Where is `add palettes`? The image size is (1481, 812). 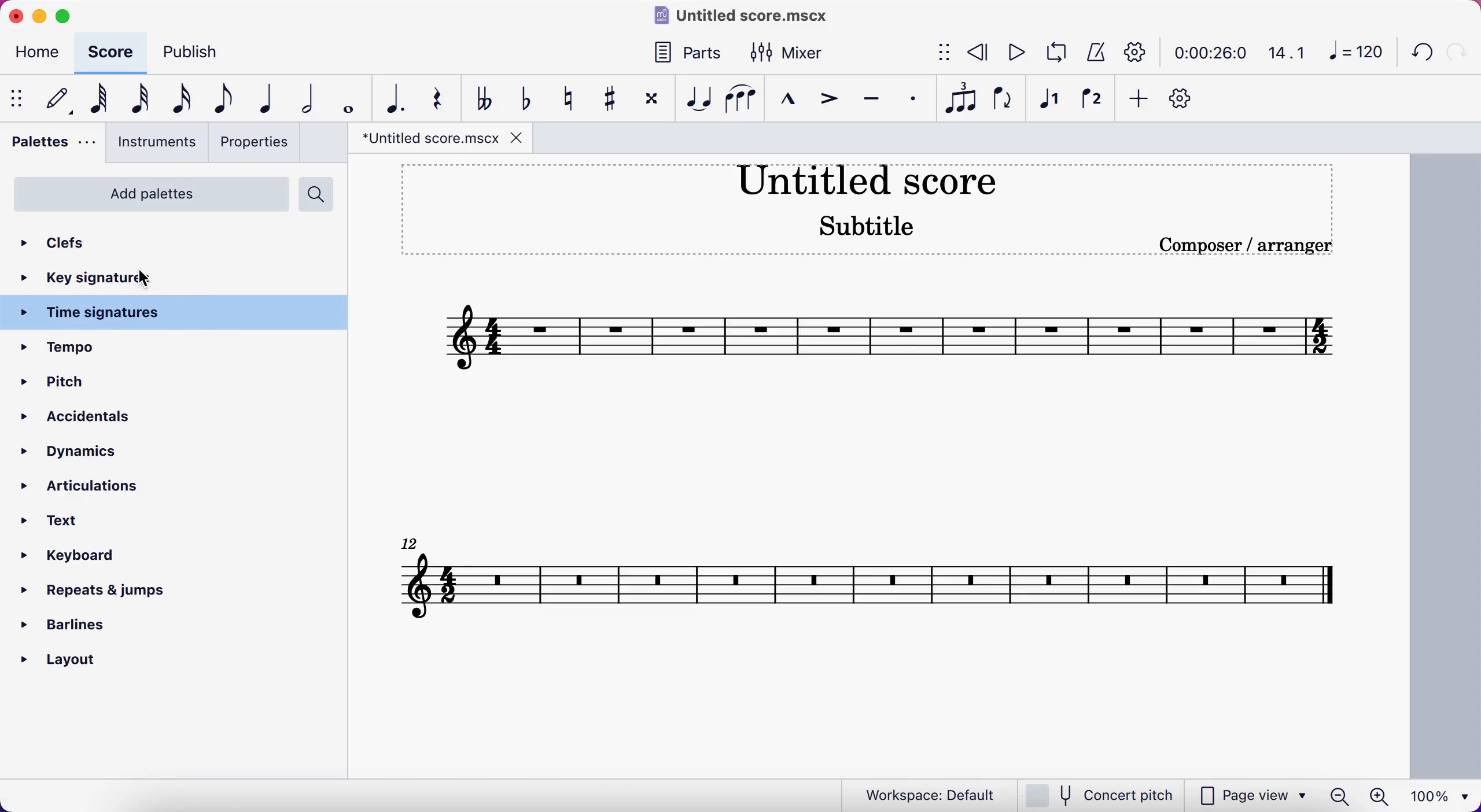
add palettes is located at coordinates (148, 193).